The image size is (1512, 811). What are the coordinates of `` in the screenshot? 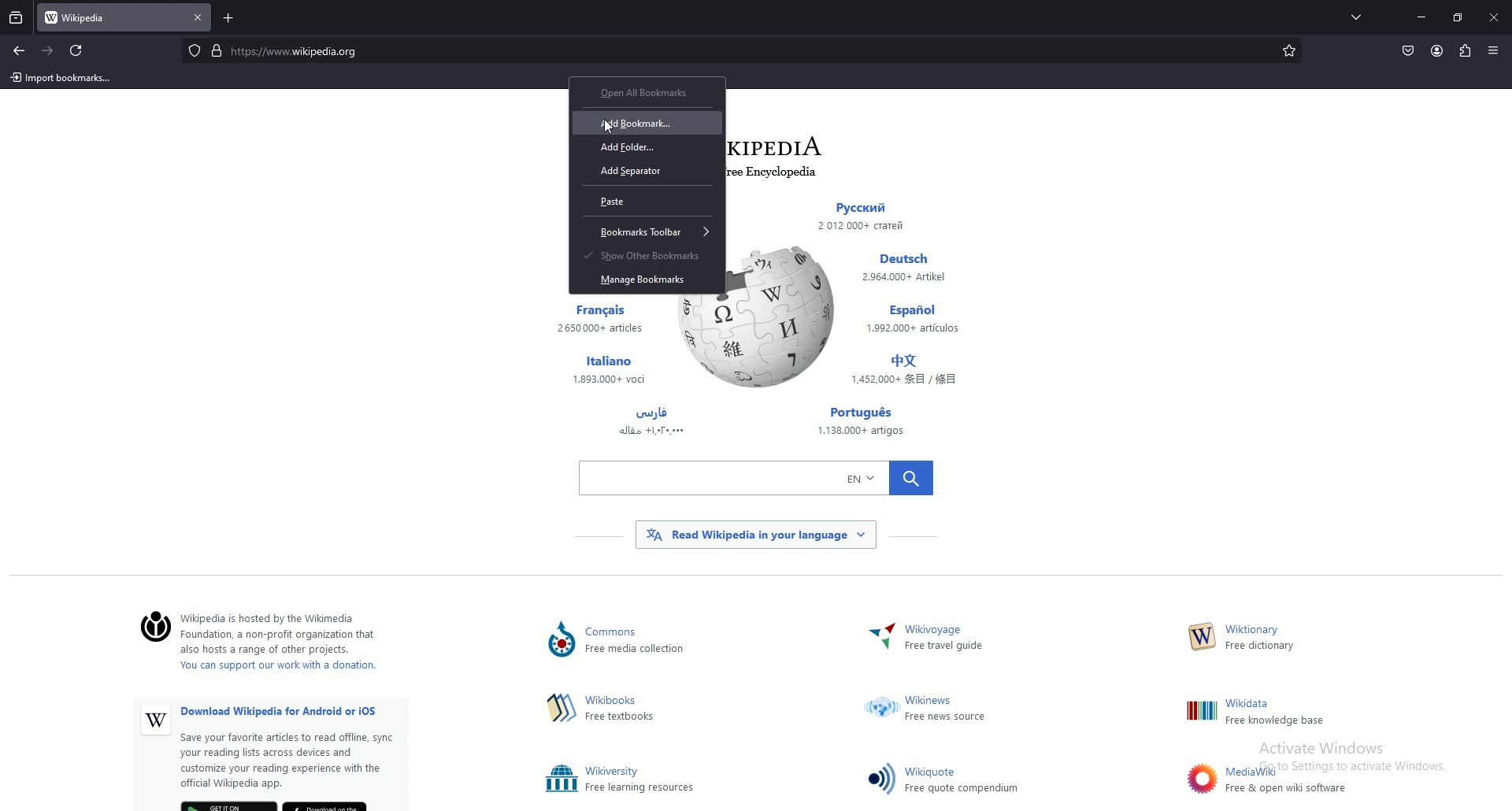 It's located at (1198, 779).